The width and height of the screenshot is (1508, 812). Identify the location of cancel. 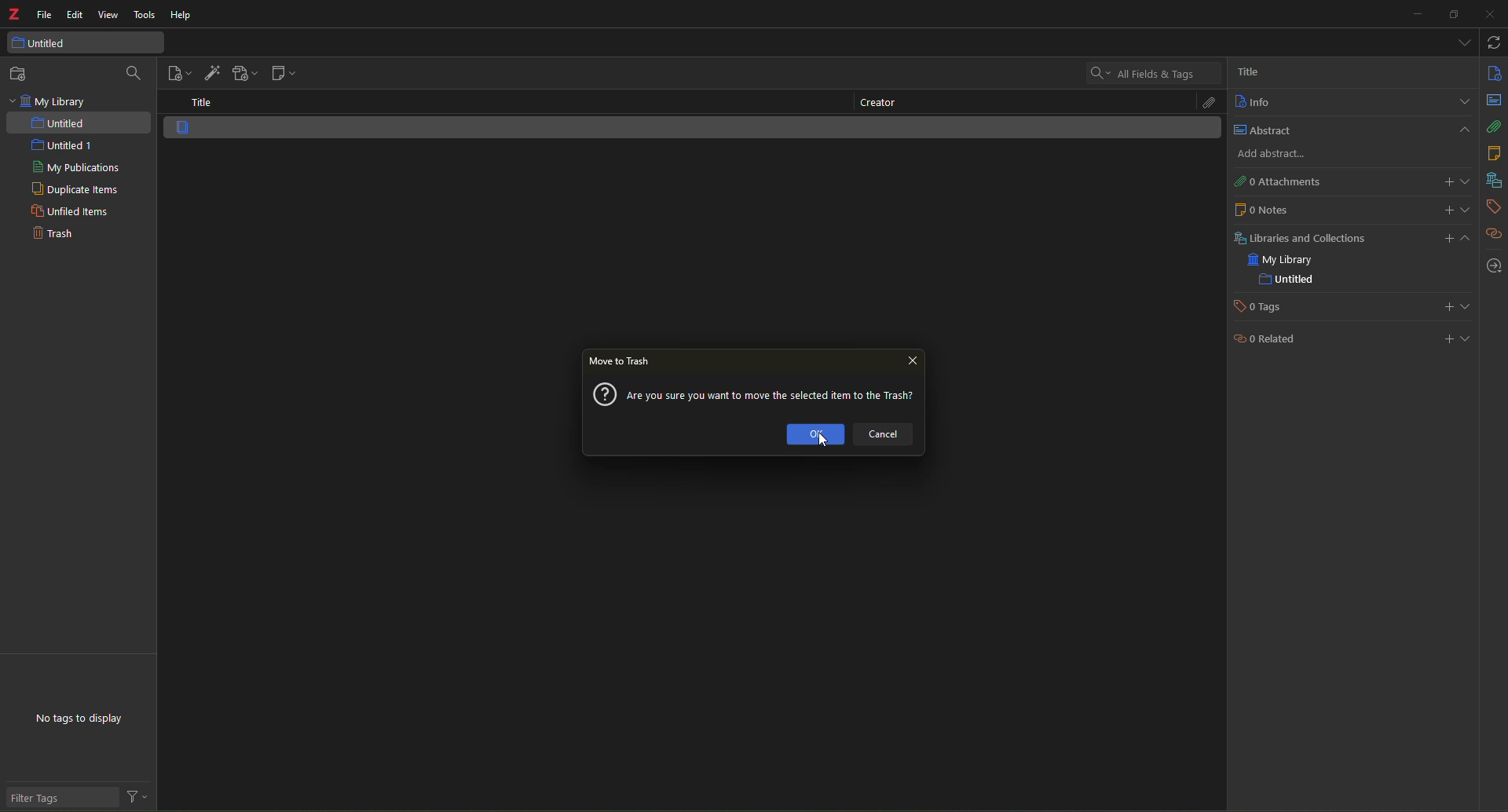
(888, 435).